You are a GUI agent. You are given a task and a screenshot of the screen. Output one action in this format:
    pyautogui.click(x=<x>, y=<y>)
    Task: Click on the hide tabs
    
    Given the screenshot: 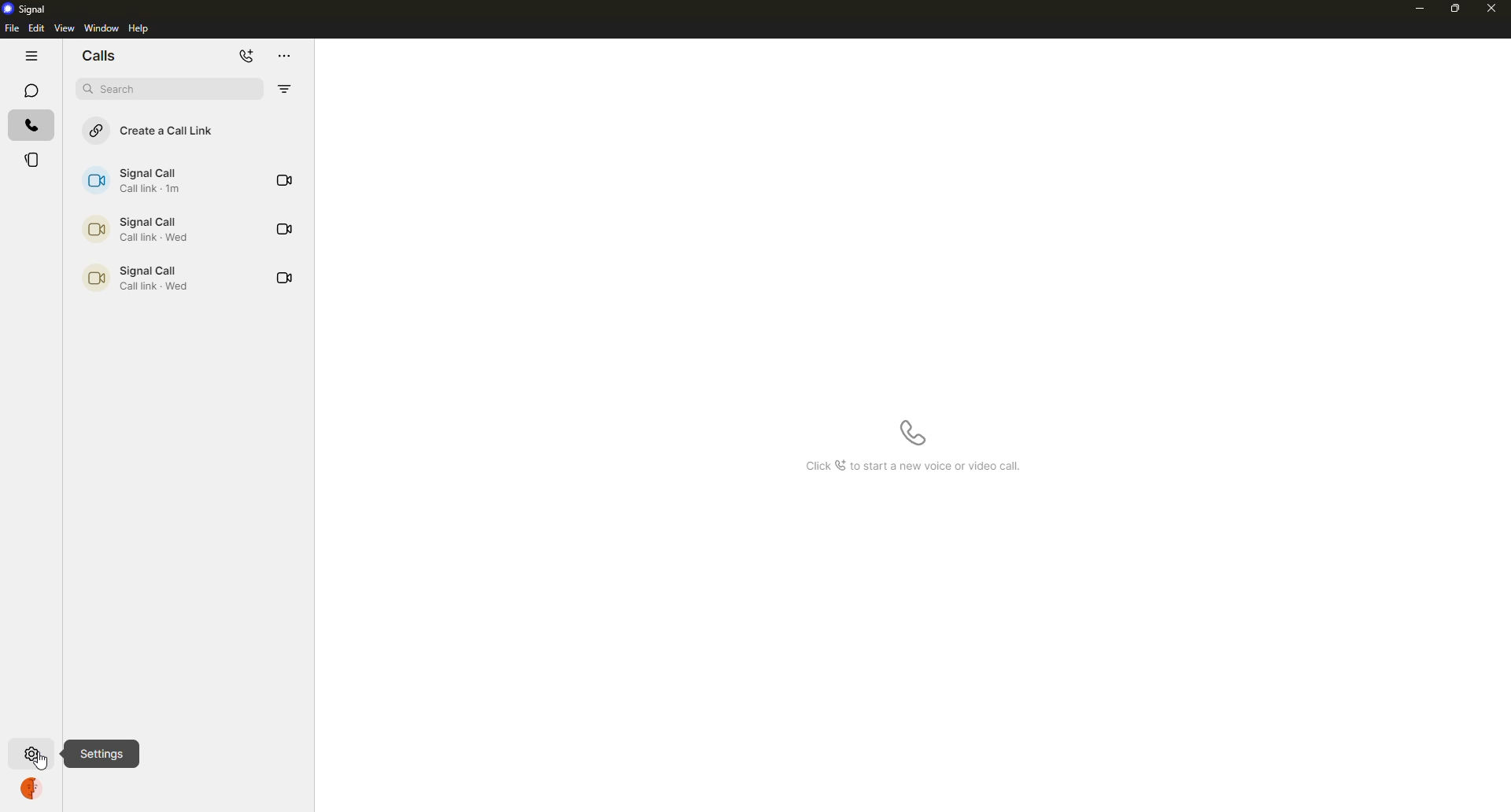 What is the action you would take?
    pyautogui.click(x=30, y=57)
    